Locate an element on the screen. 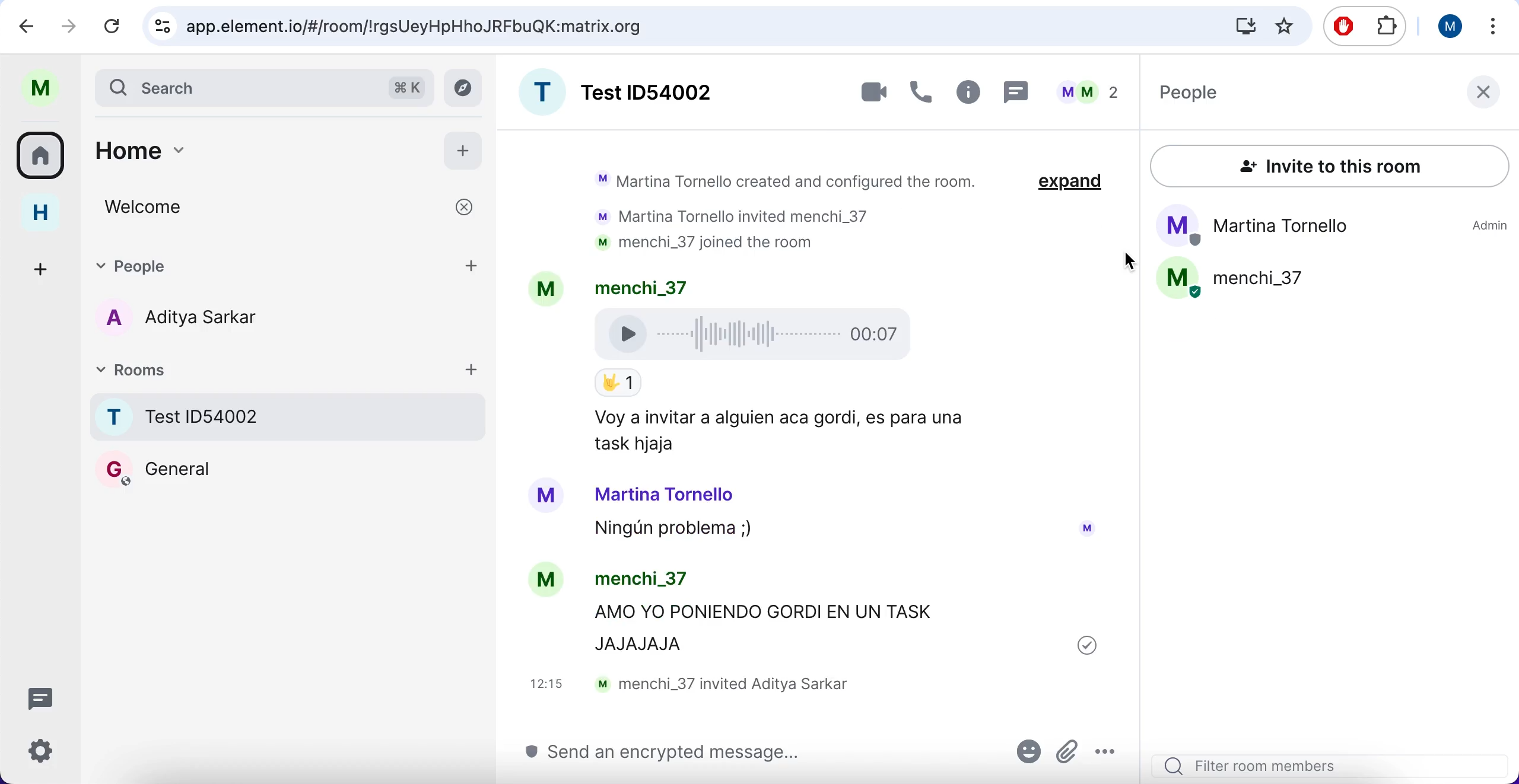 This screenshot has height=784, width=1519. menchi_37 is located at coordinates (652, 289).